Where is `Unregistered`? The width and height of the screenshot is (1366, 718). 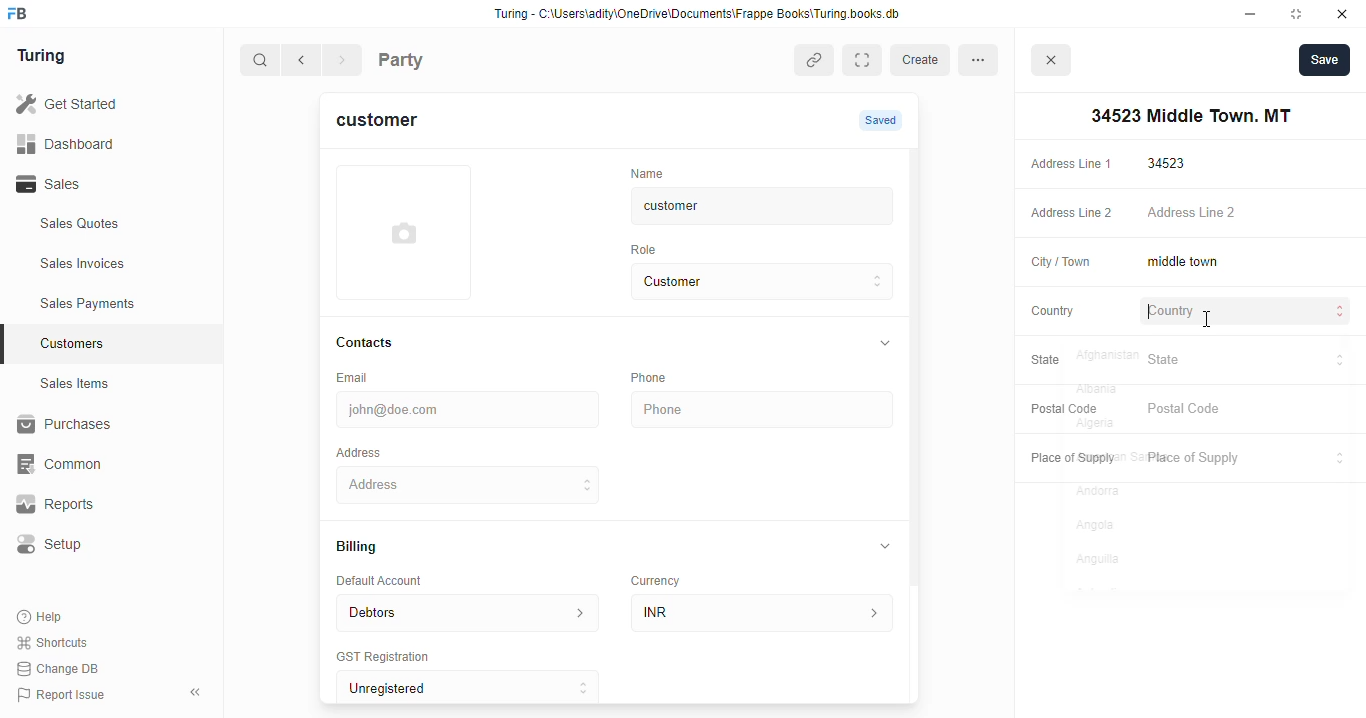 Unregistered is located at coordinates (477, 688).